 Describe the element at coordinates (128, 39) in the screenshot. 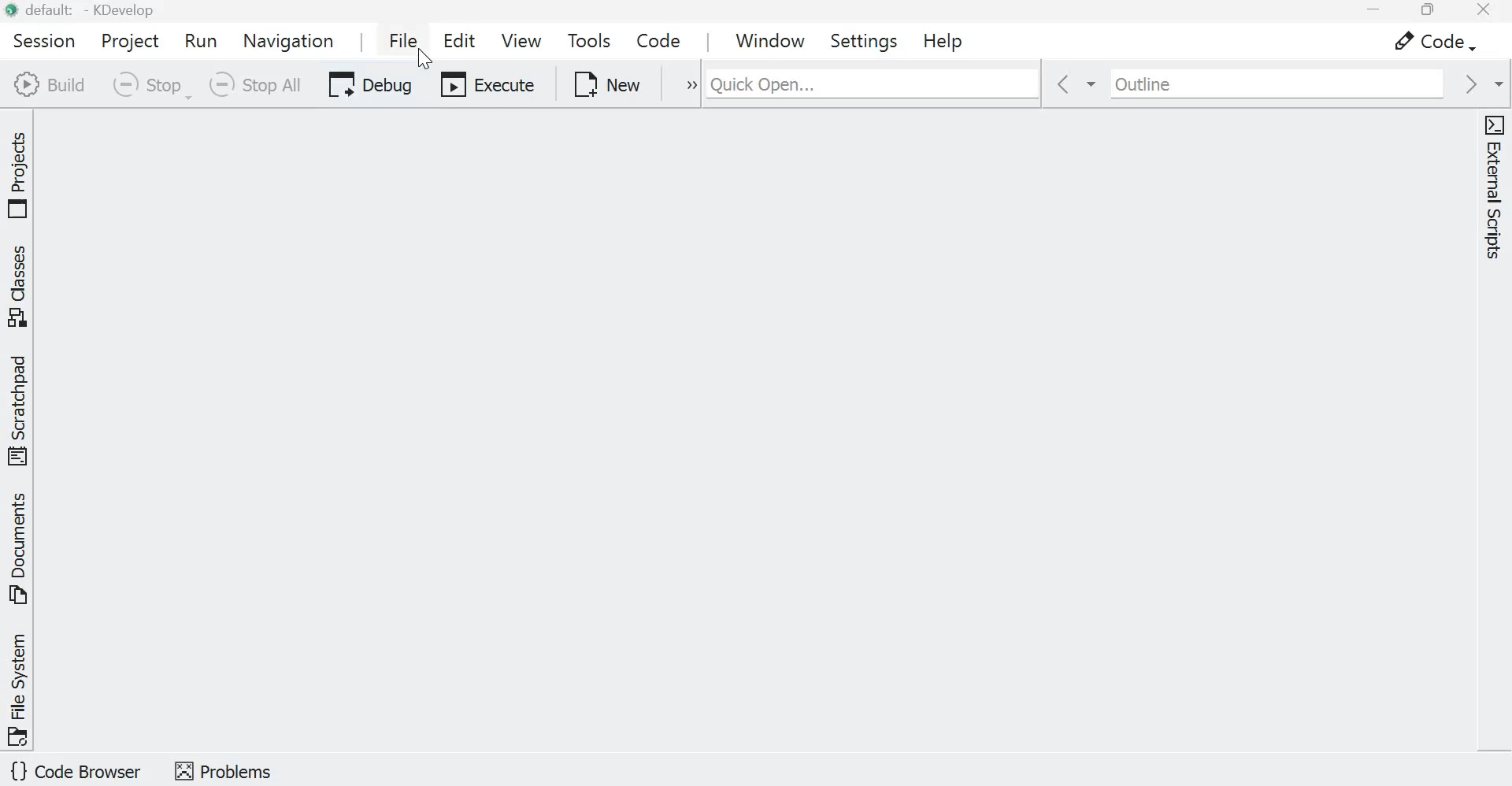

I see `Project` at that location.